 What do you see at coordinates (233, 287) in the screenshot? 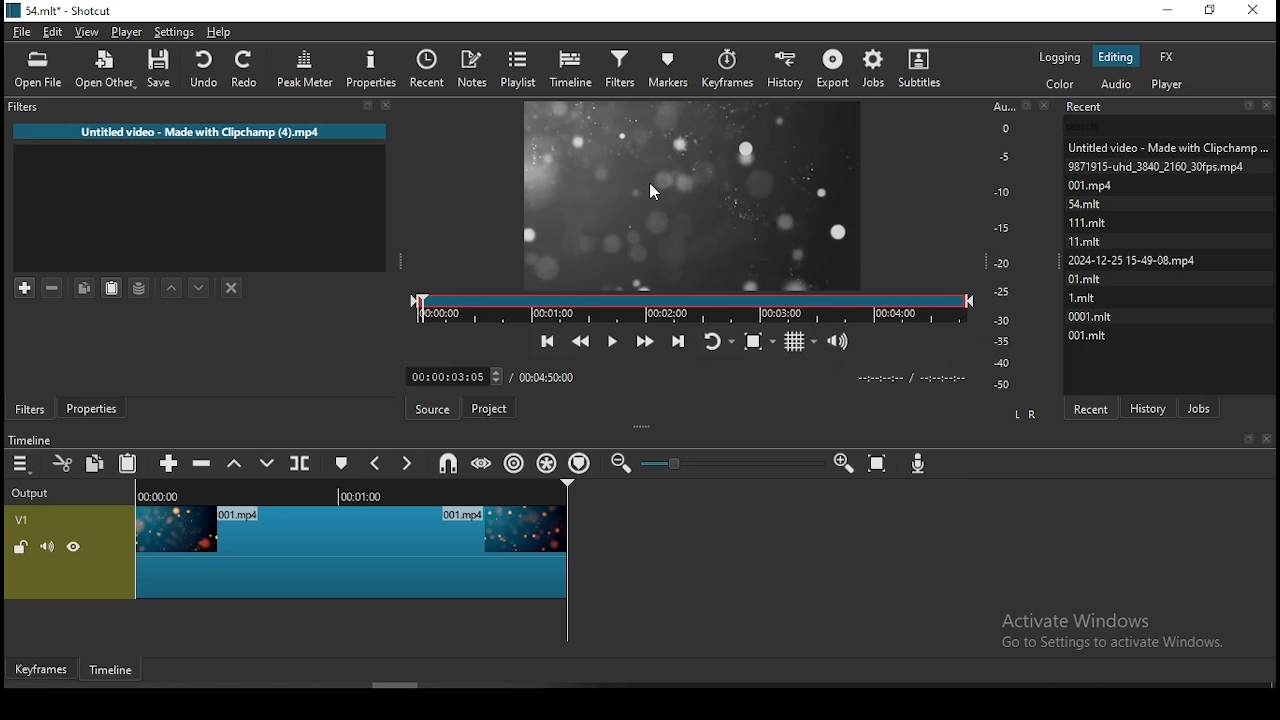
I see `deselect filter` at bounding box center [233, 287].